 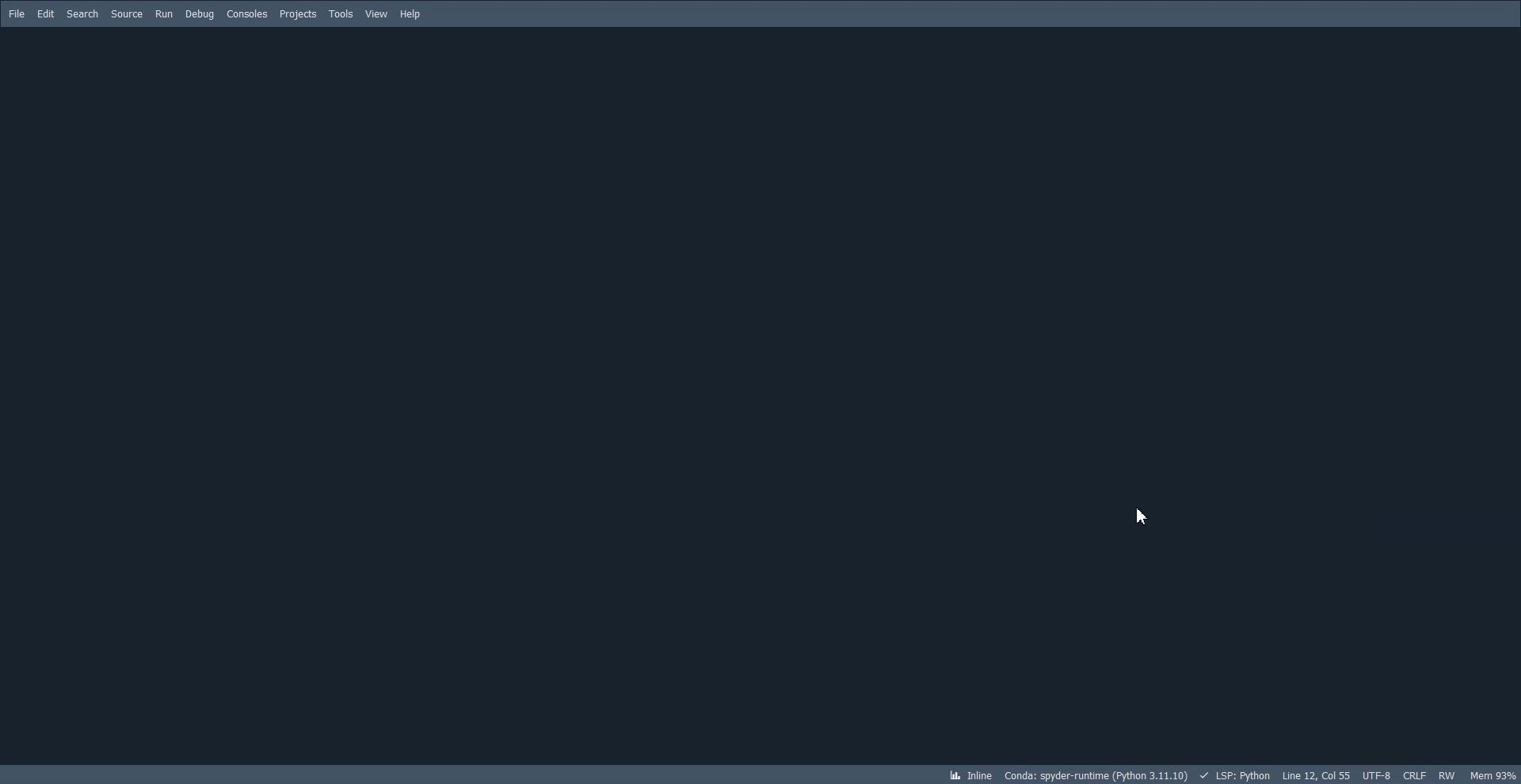 What do you see at coordinates (127, 14) in the screenshot?
I see `Source` at bounding box center [127, 14].